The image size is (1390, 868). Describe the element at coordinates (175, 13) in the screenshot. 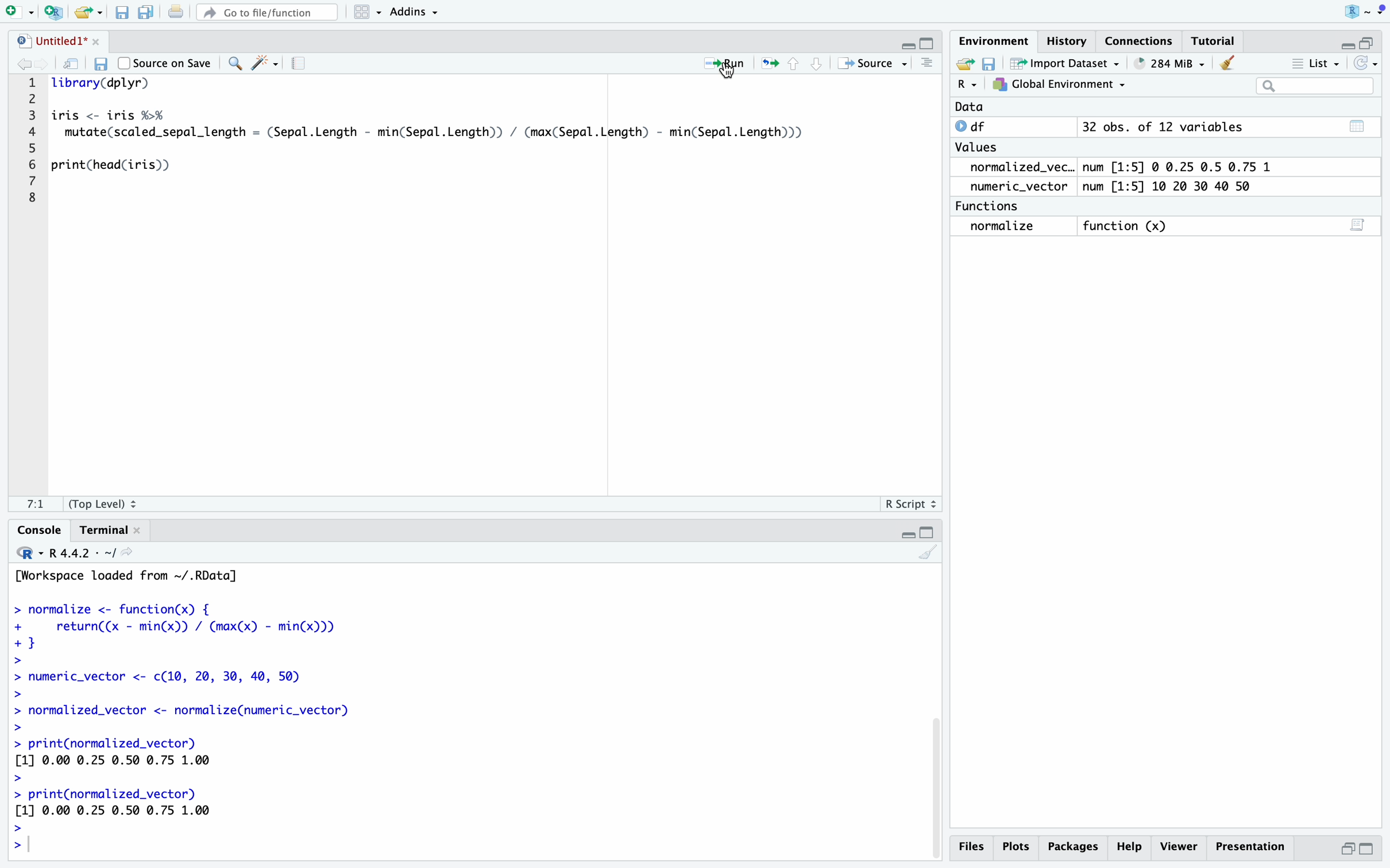

I see `Print` at that location.